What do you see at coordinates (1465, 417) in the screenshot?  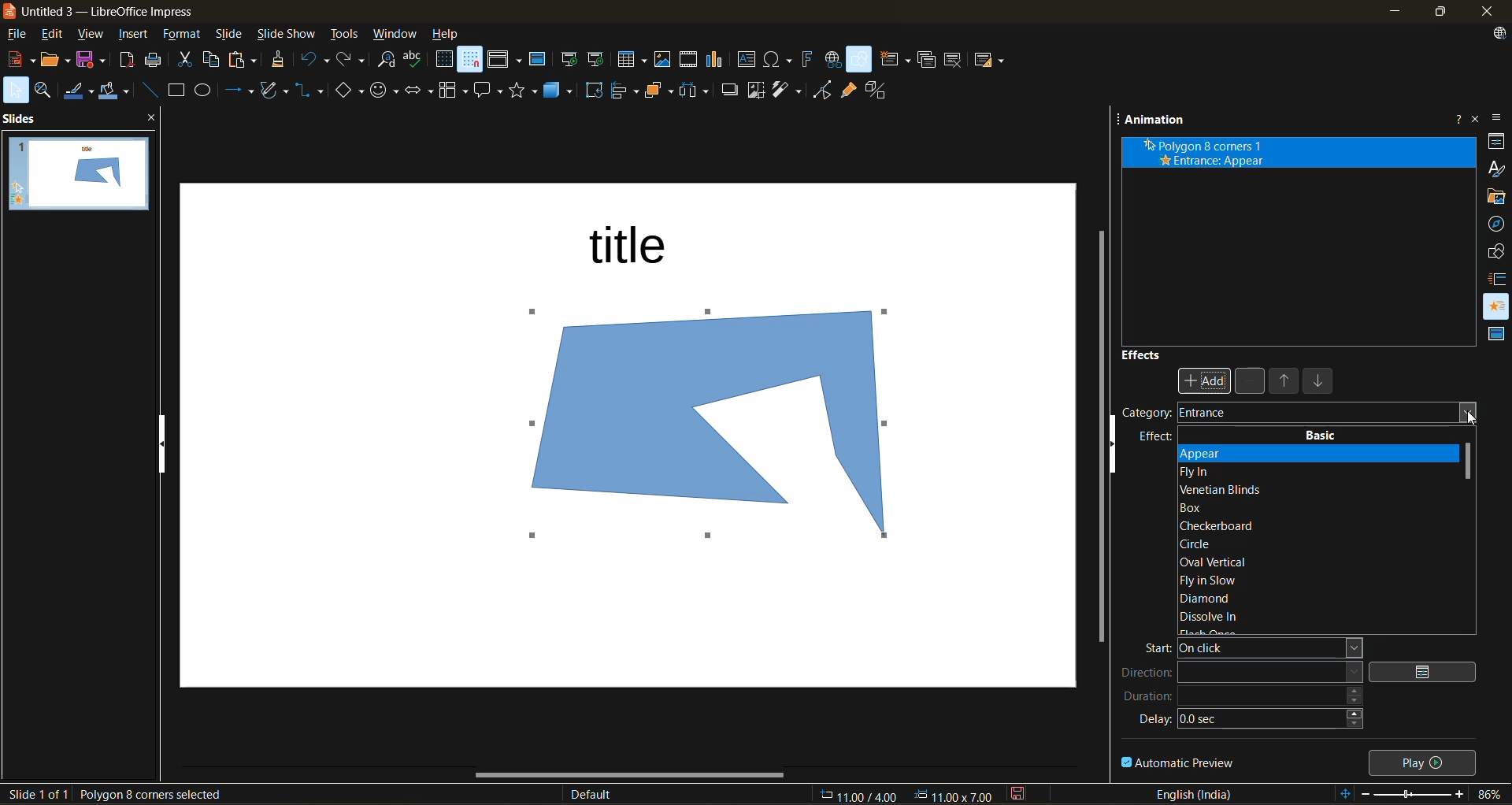 I see `cursor` at bounding box center [1465, 417].